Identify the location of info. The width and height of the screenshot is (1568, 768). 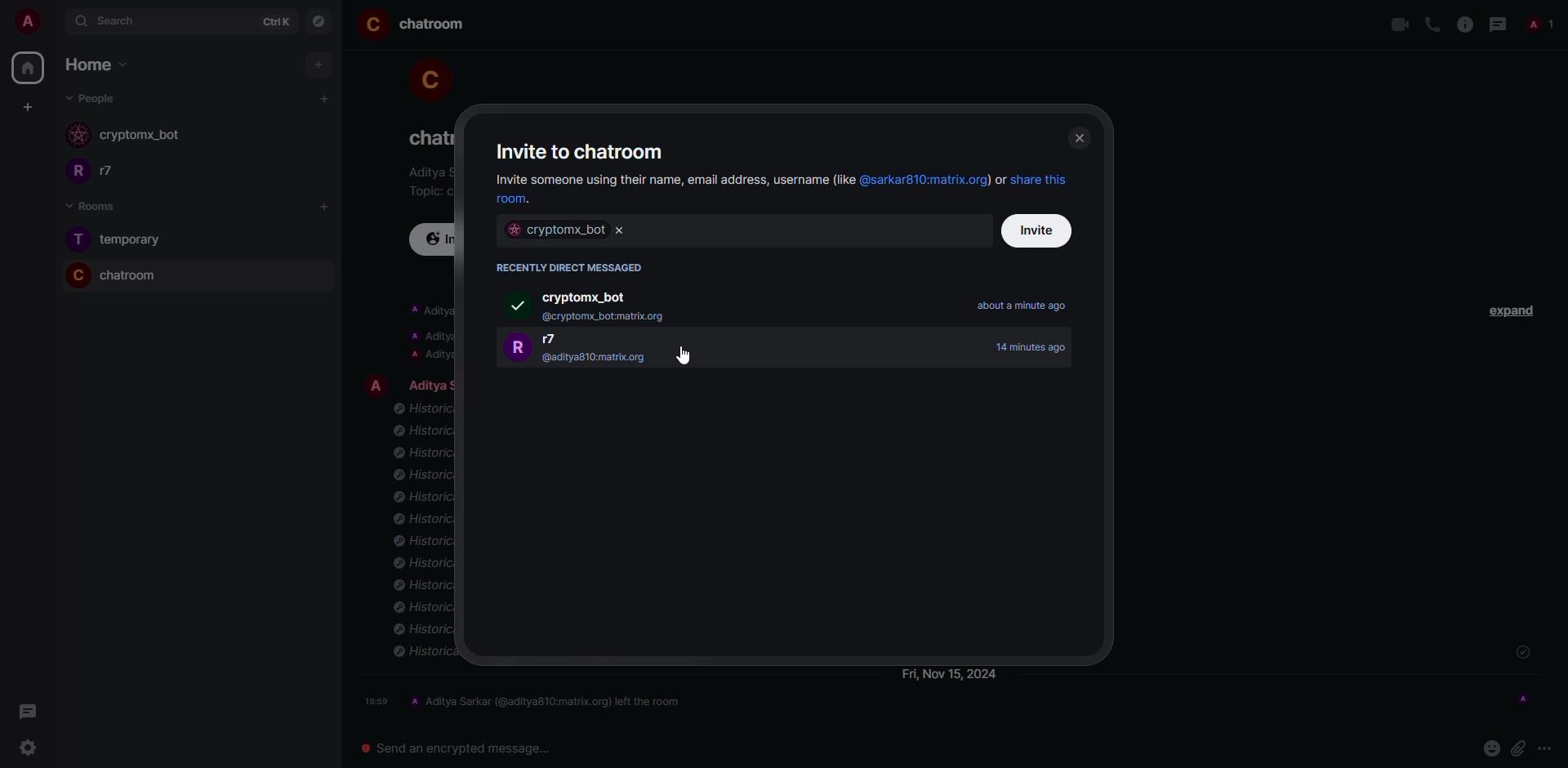
(421, 534).